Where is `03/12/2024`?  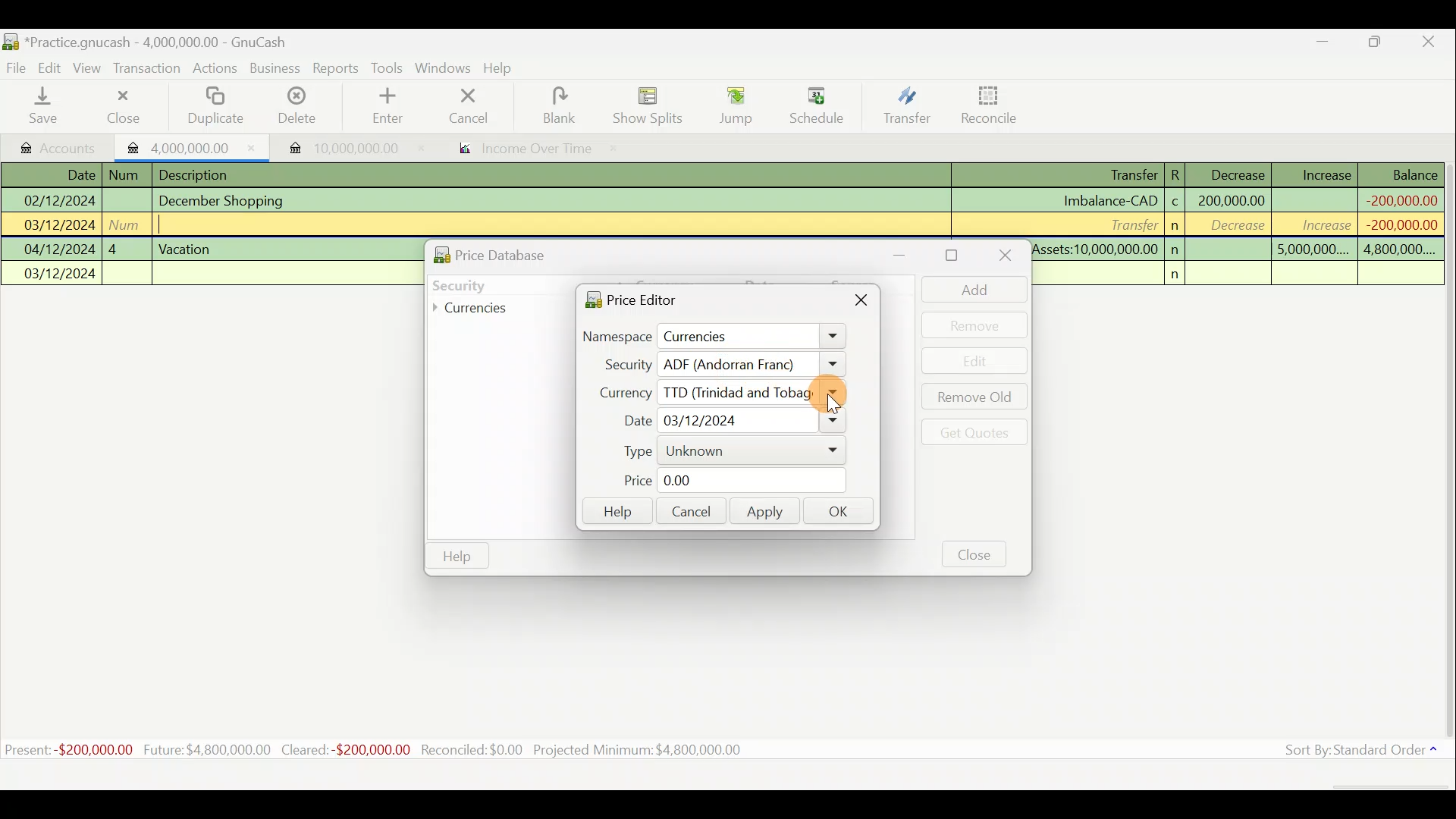
03/12/2024 is located at coordinates (61, 275).